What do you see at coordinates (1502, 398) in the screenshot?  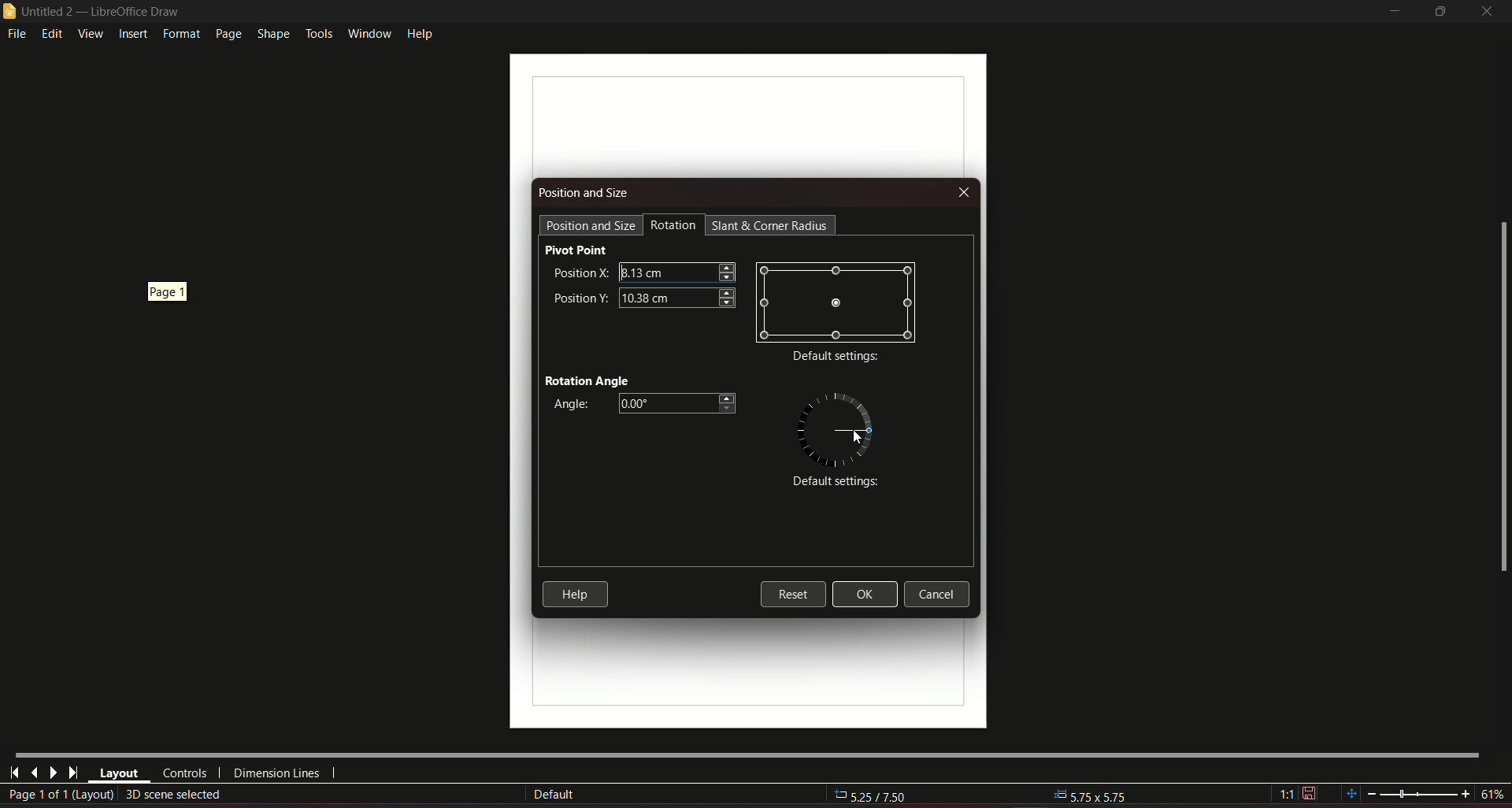 I see `scrollbar` at bounding box center [1502, 398].